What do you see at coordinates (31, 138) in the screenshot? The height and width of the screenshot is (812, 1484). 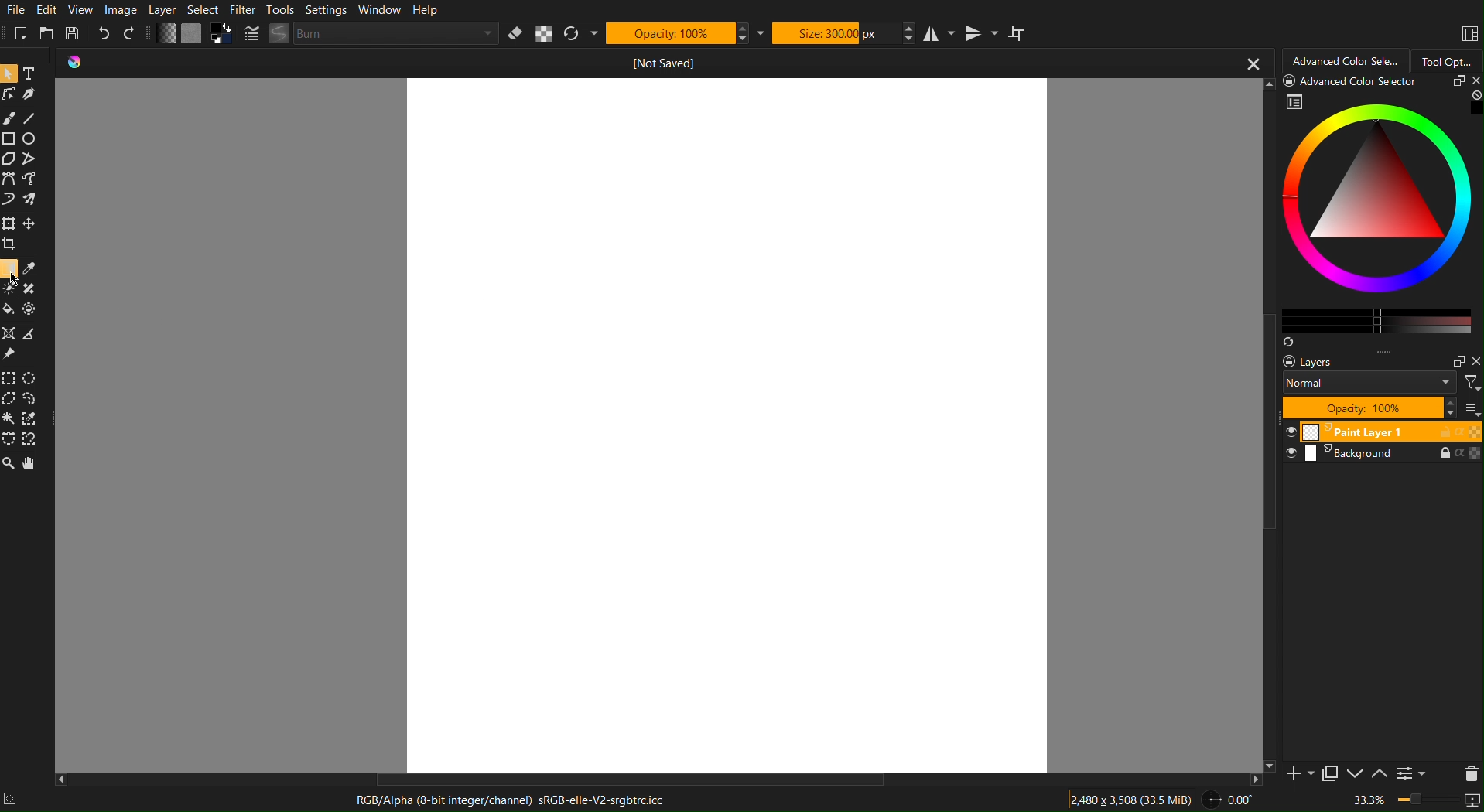 I see `Circle` at bounding box center [31, 138].